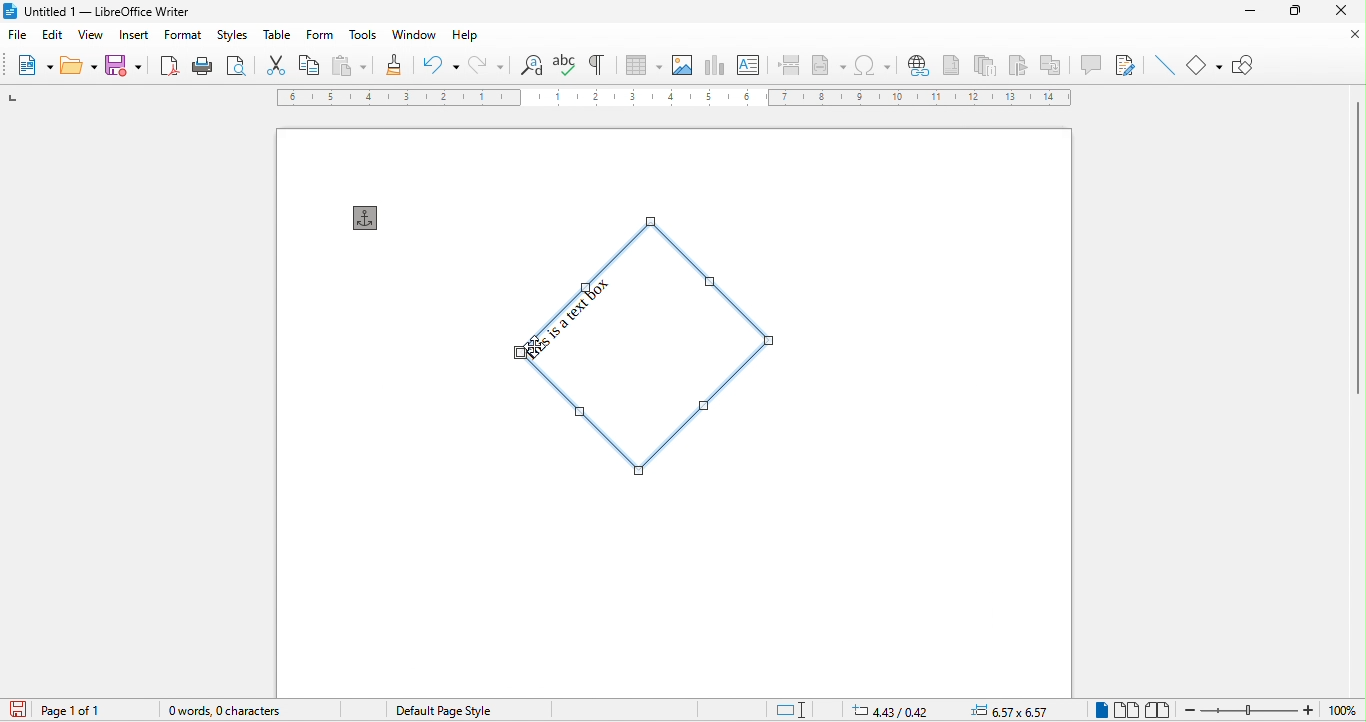 This screenshot has width=1366, height=722. I want to click on save, so click(126, 63).